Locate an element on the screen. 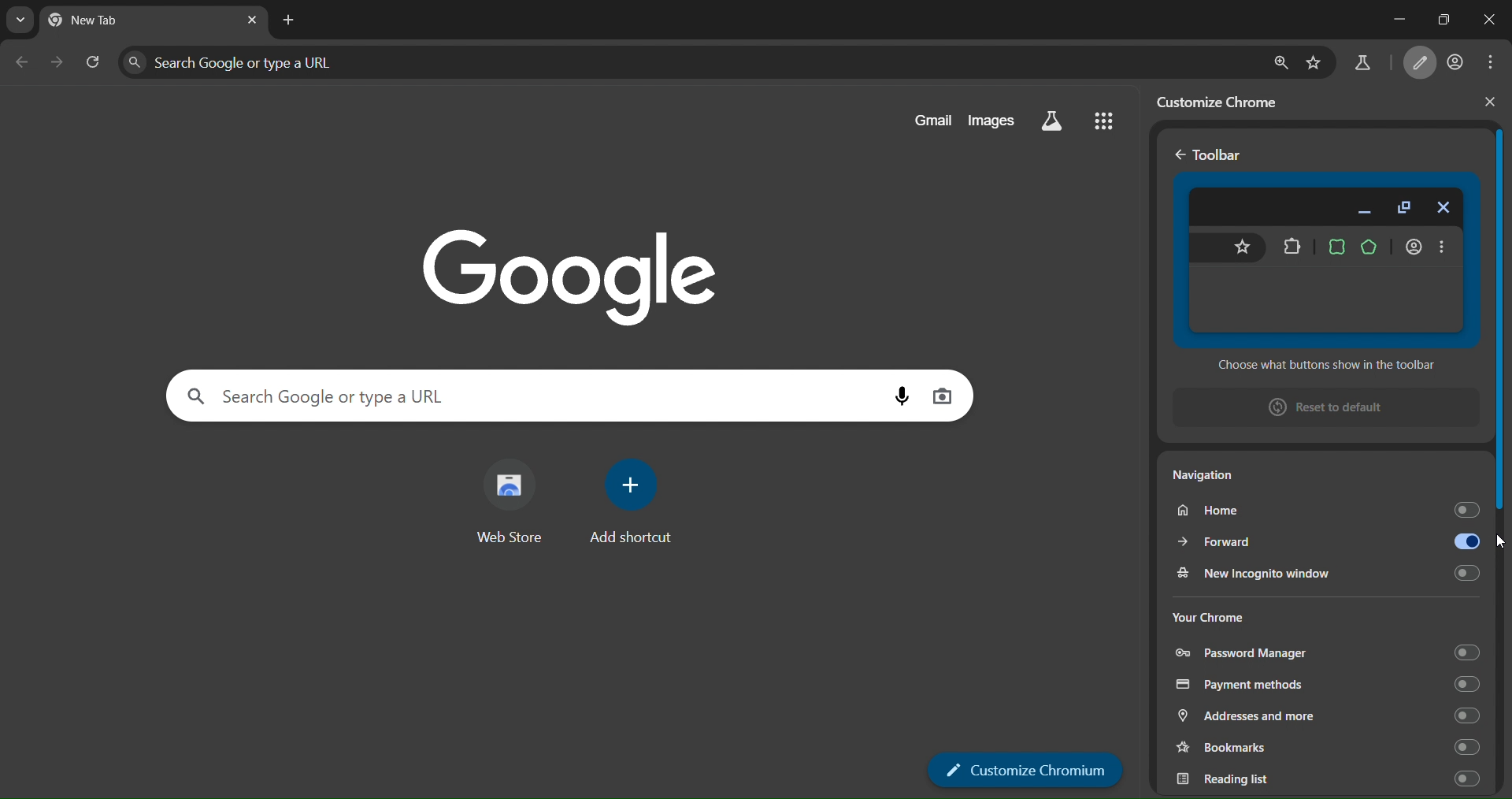 The width and height of the screenshot is (1512, 799). add shortcut is located at coordinates (638, 507).